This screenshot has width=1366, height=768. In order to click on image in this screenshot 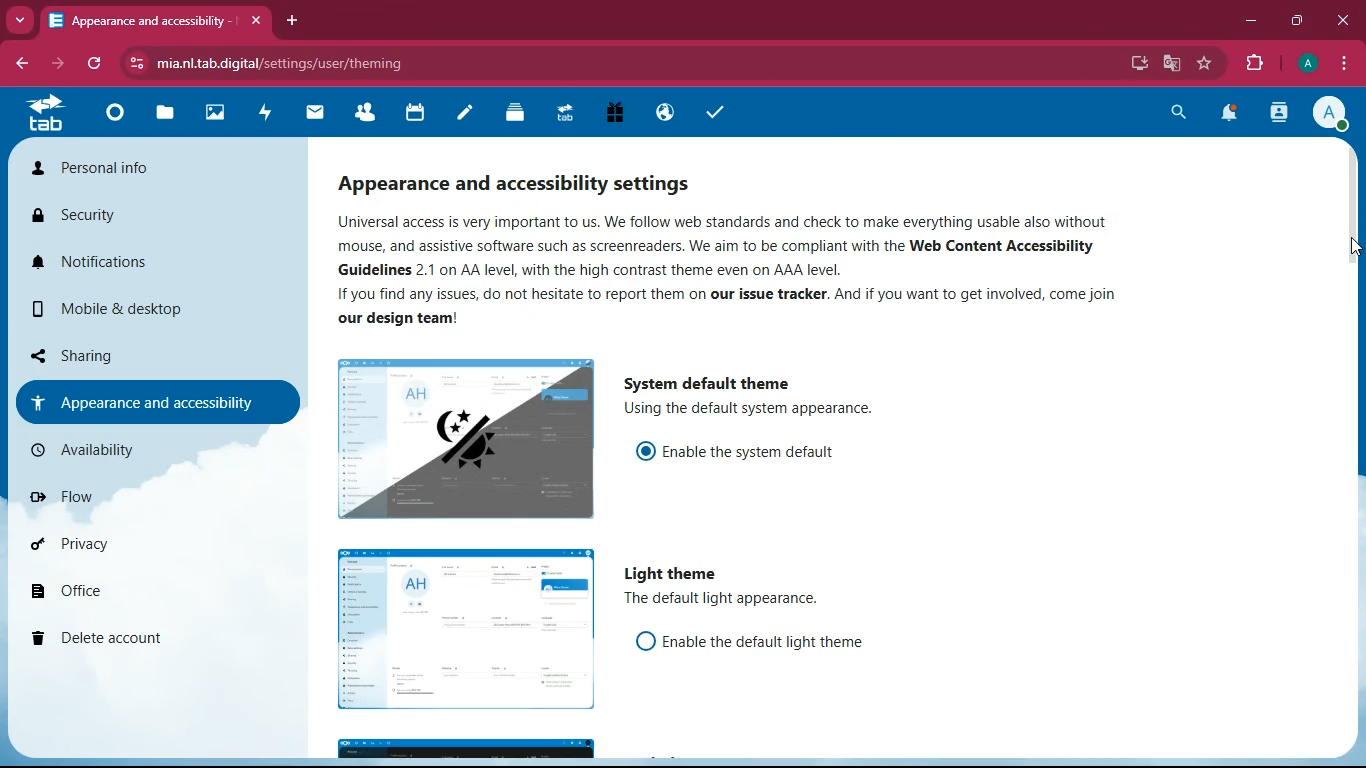, I will do `click(466, 630)`.